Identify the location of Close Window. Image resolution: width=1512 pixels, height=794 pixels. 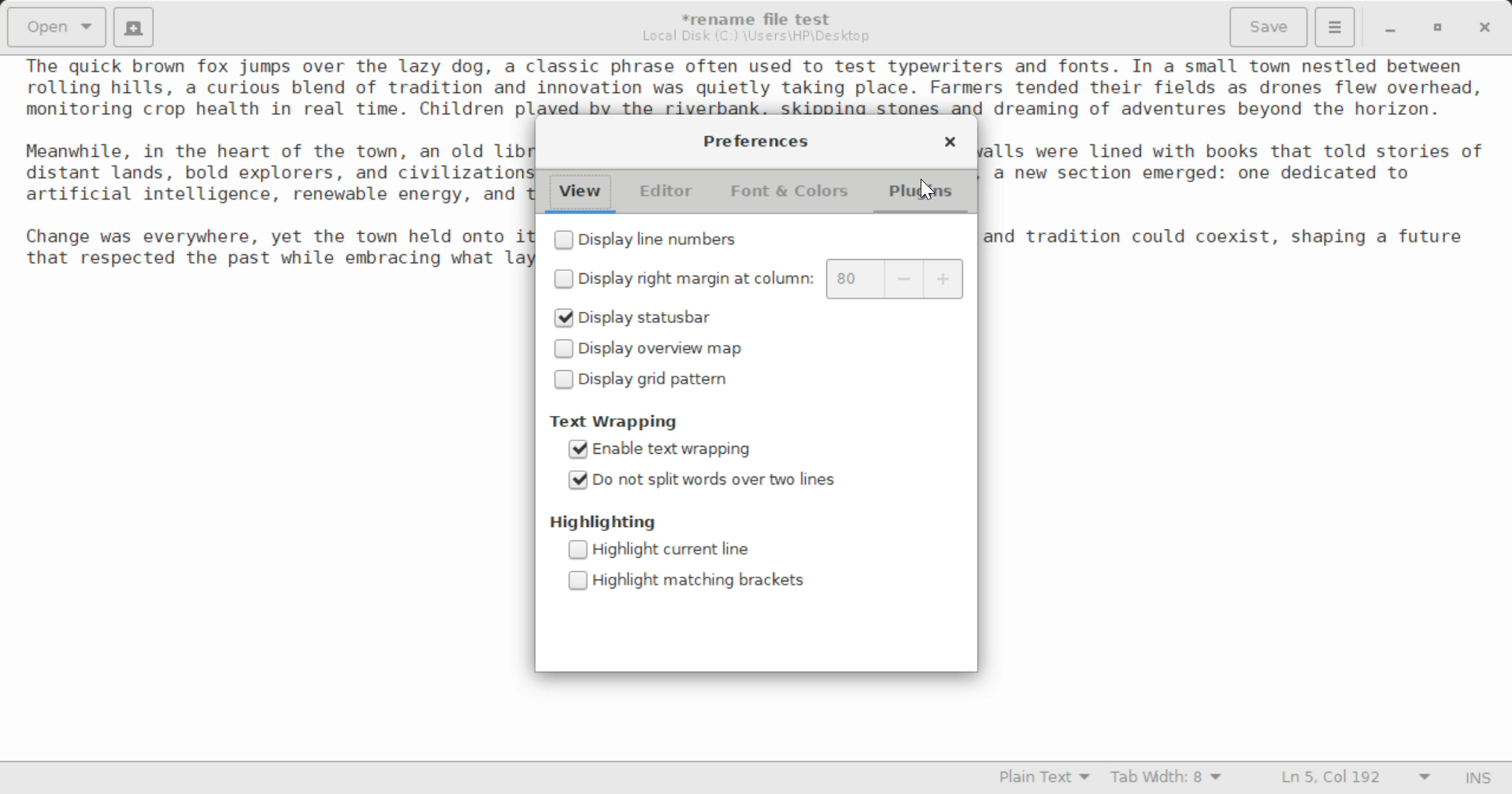
(1487, 26).